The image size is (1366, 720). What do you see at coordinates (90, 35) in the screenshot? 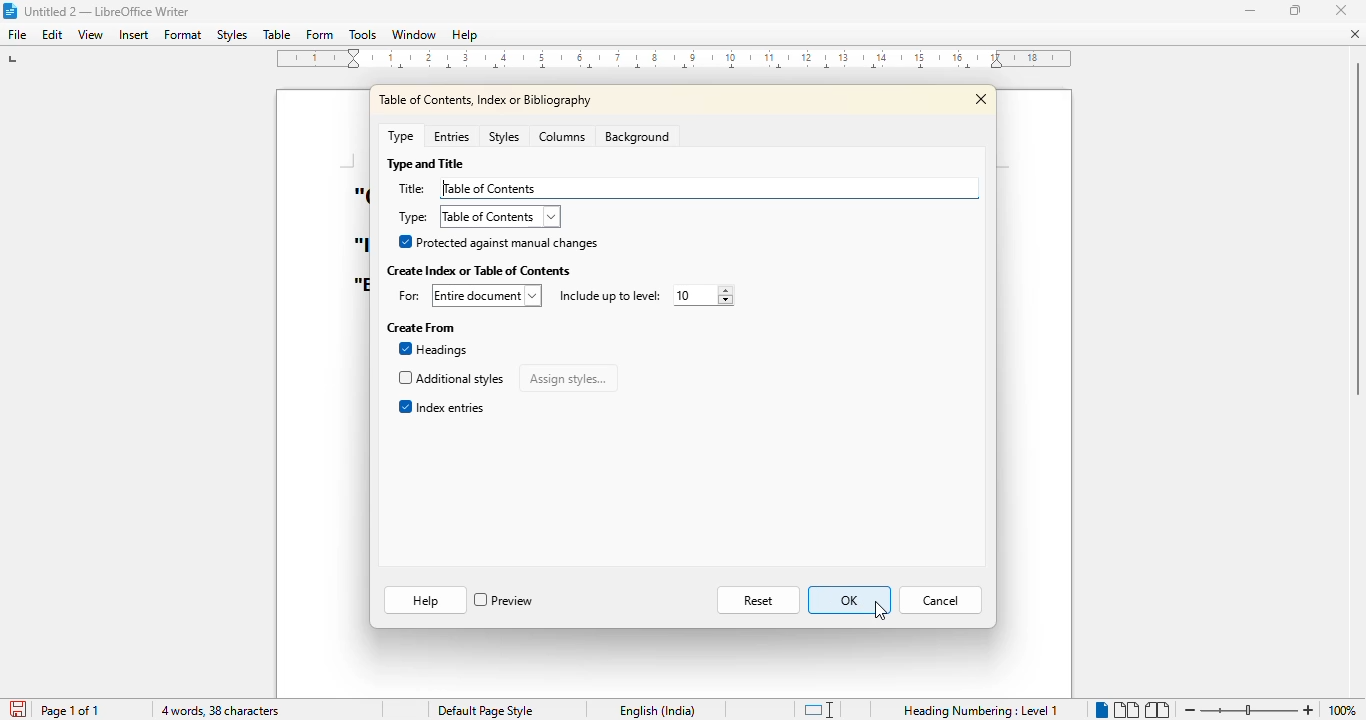
I see `view` at bounding box center [90, 35].